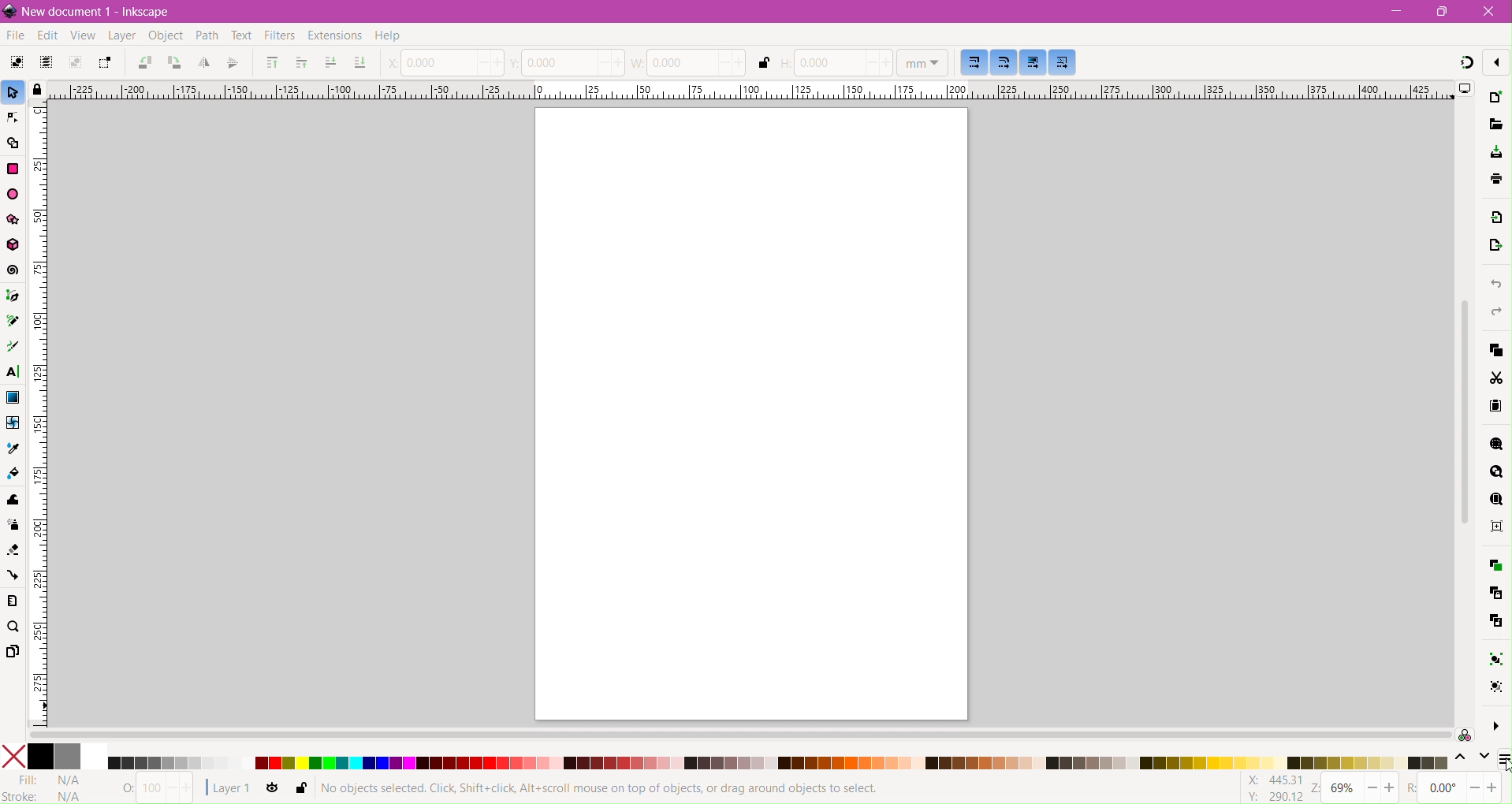  Describe the element at coordinates (205, 37) in the screenshot. I see `Path` at that location.